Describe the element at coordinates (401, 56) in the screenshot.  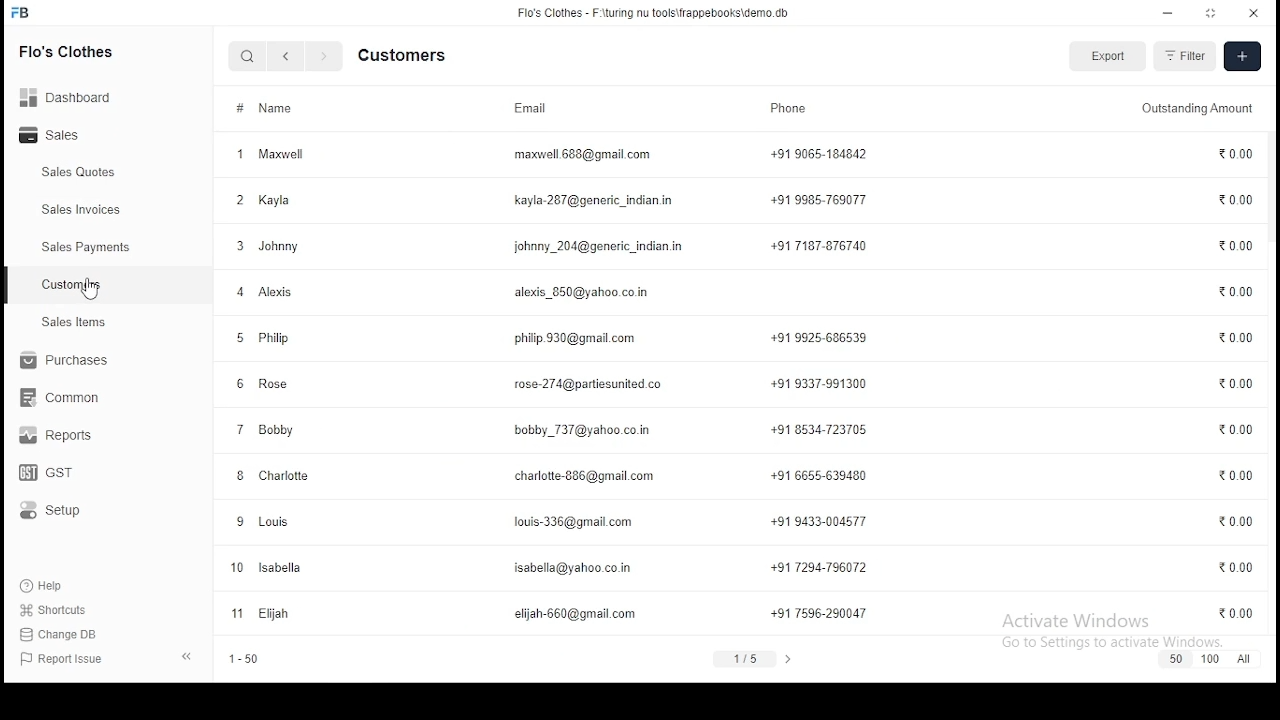
I see `customers` at that location.